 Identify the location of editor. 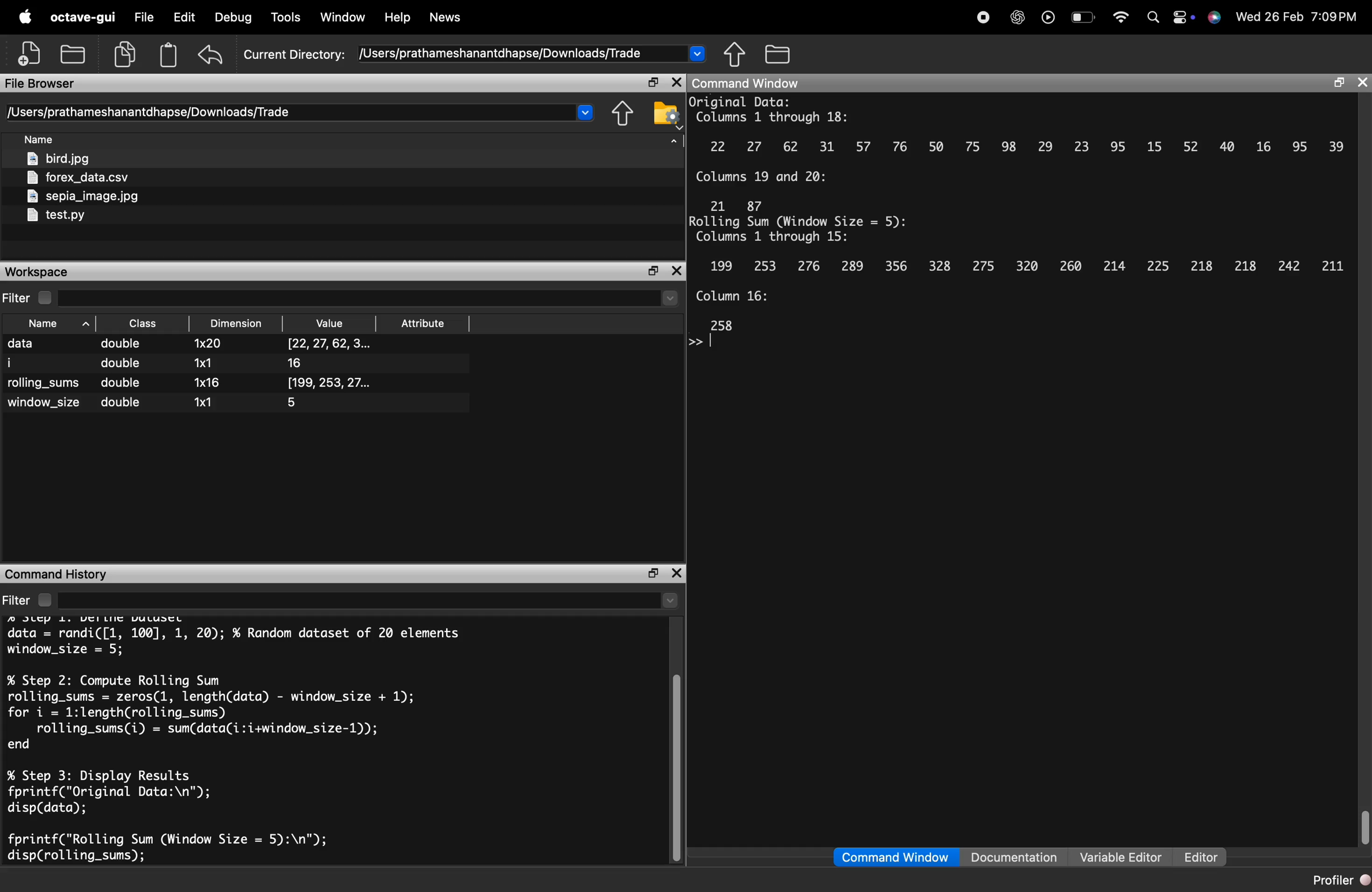
(1201, 858).